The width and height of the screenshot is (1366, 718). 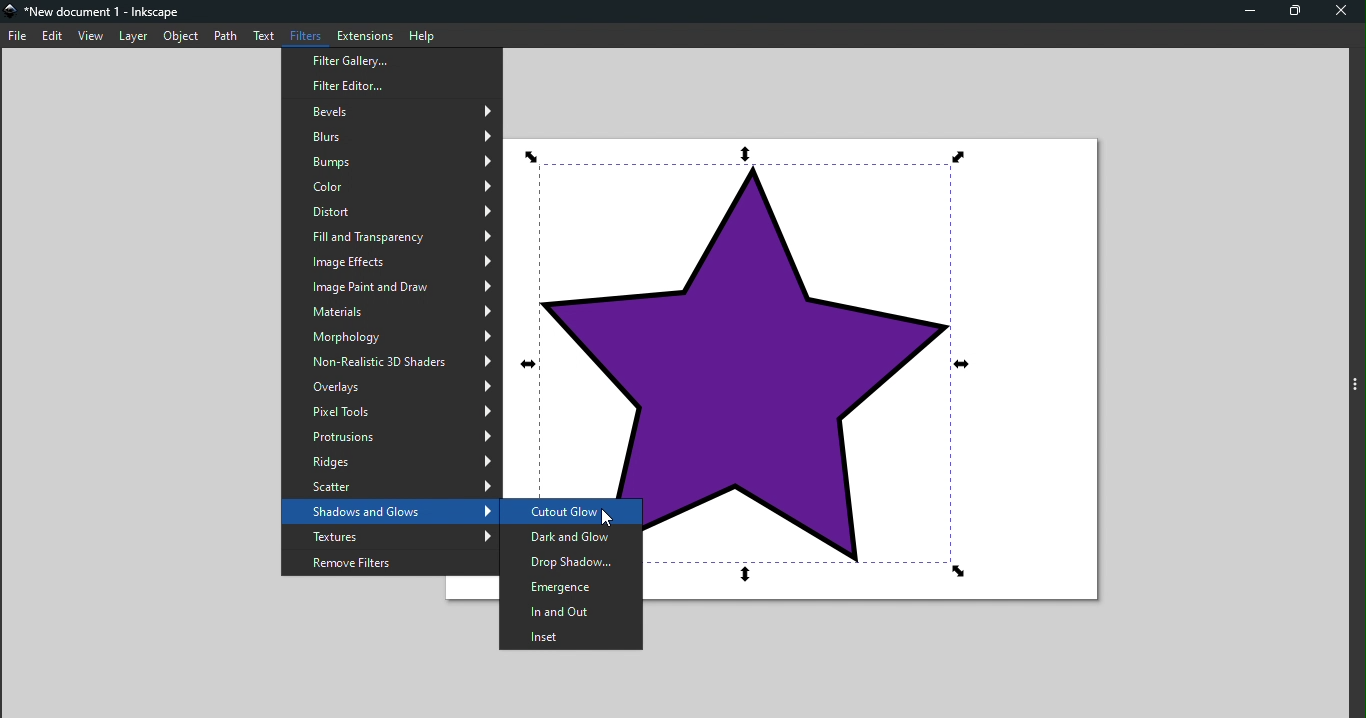 What do you see at coordinates (264, 37) in the screenshot?
I see `Text` at bounding box center [264, 37].